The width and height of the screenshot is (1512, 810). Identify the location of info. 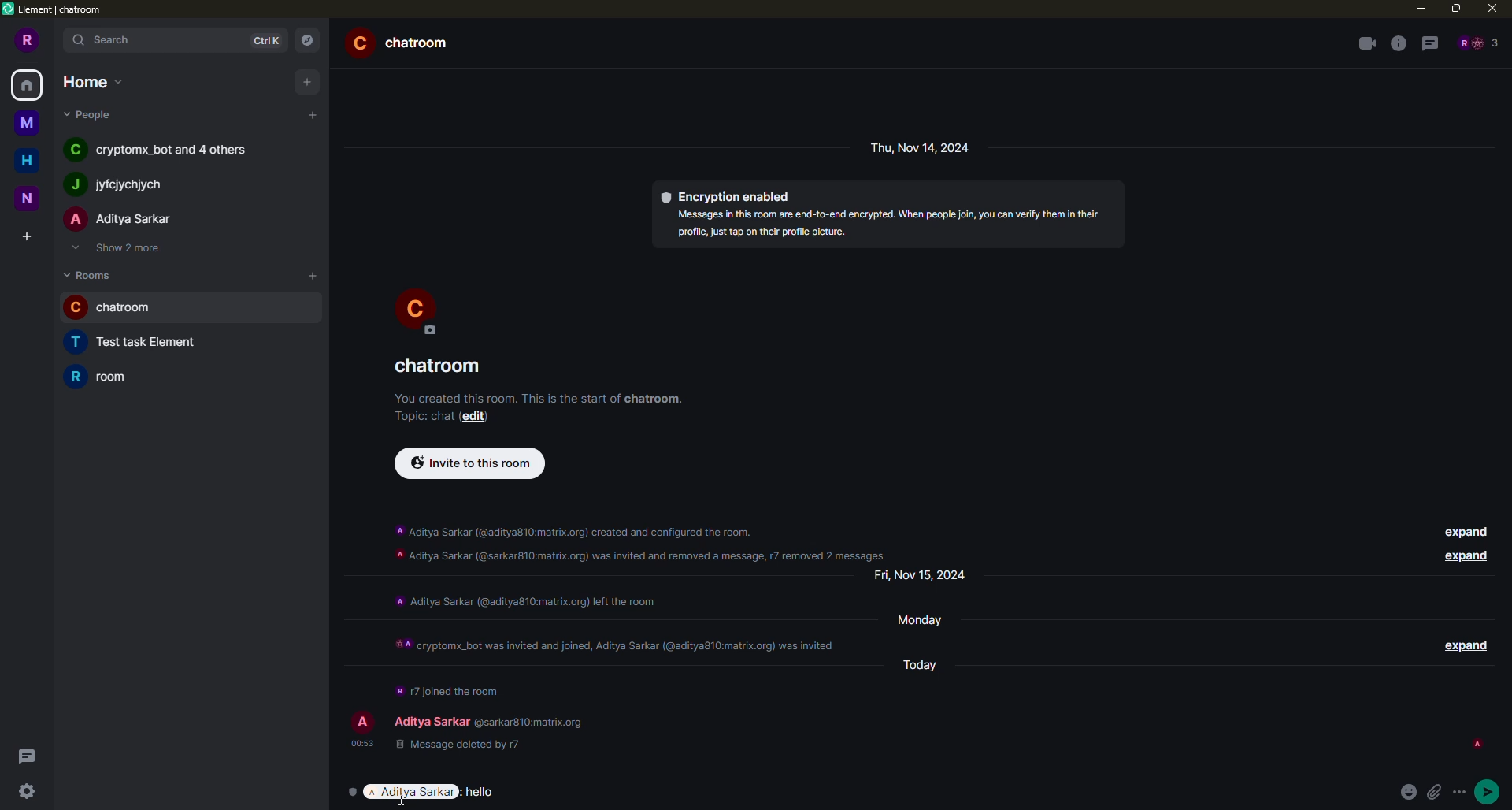
(643, 539).